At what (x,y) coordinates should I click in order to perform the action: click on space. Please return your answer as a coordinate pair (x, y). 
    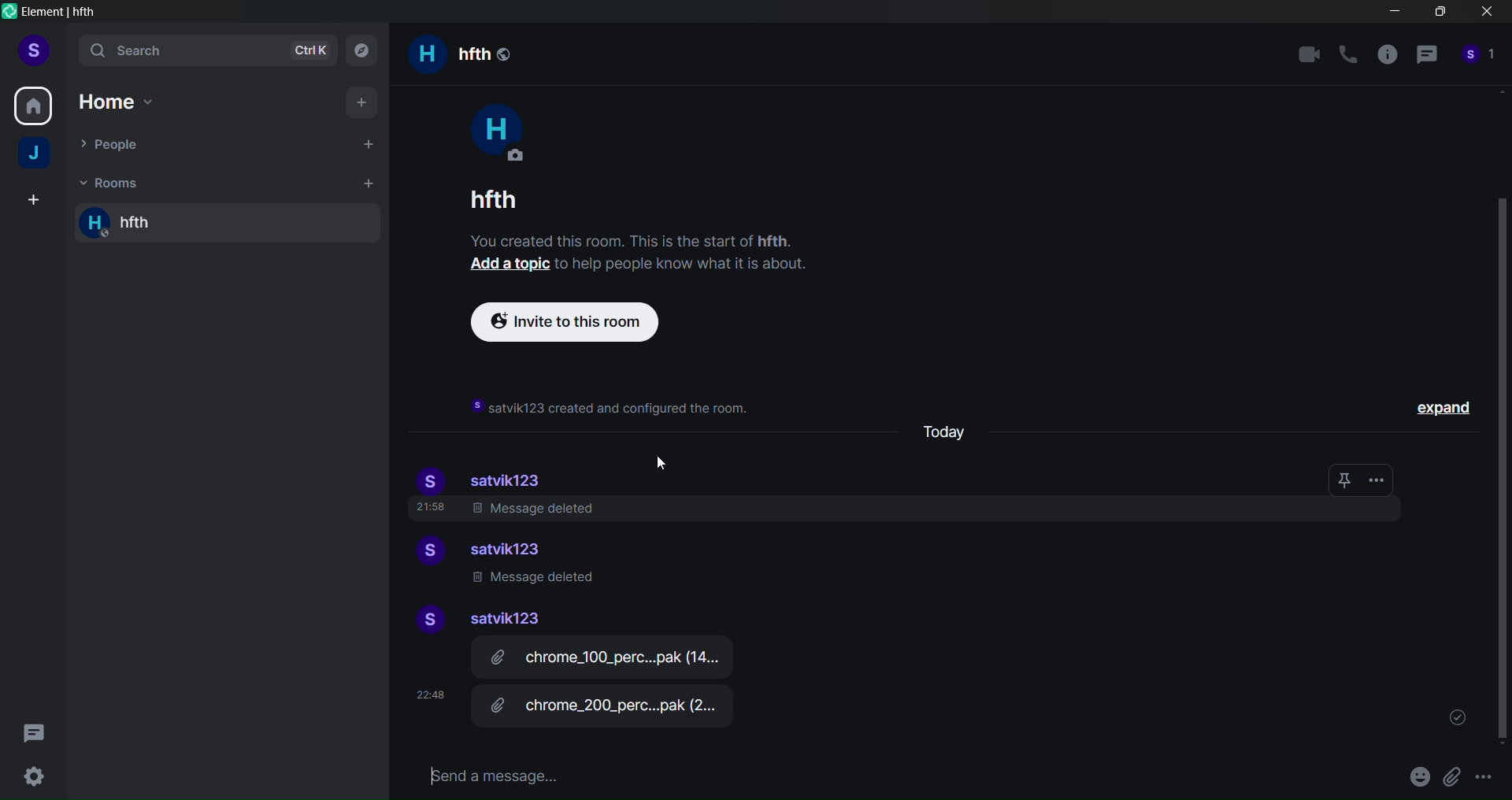
    Looking at the image, I should click on (36, 155).